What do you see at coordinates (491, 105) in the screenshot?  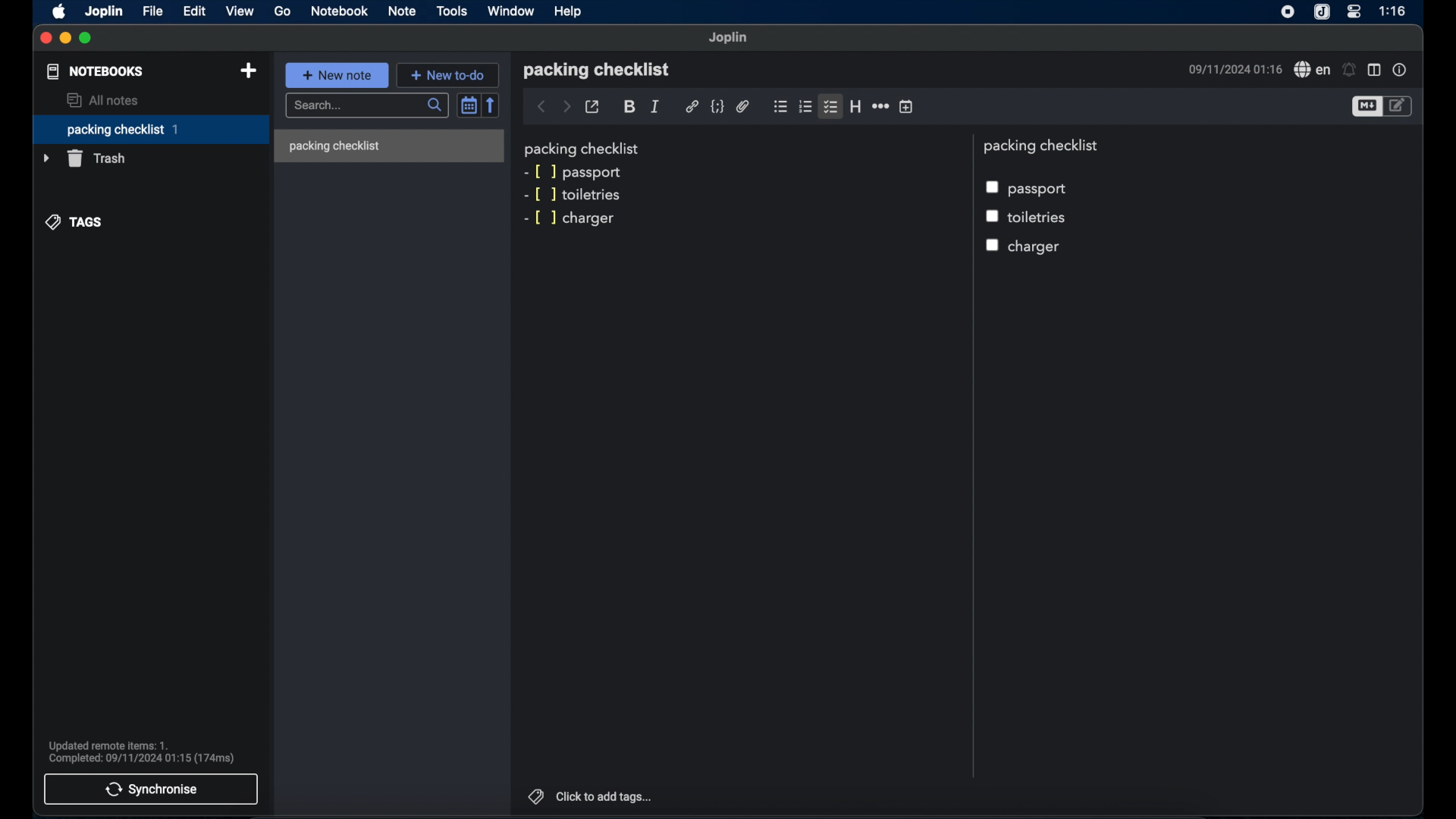 I see `reverse sort order` at bounding box center [491, 105].